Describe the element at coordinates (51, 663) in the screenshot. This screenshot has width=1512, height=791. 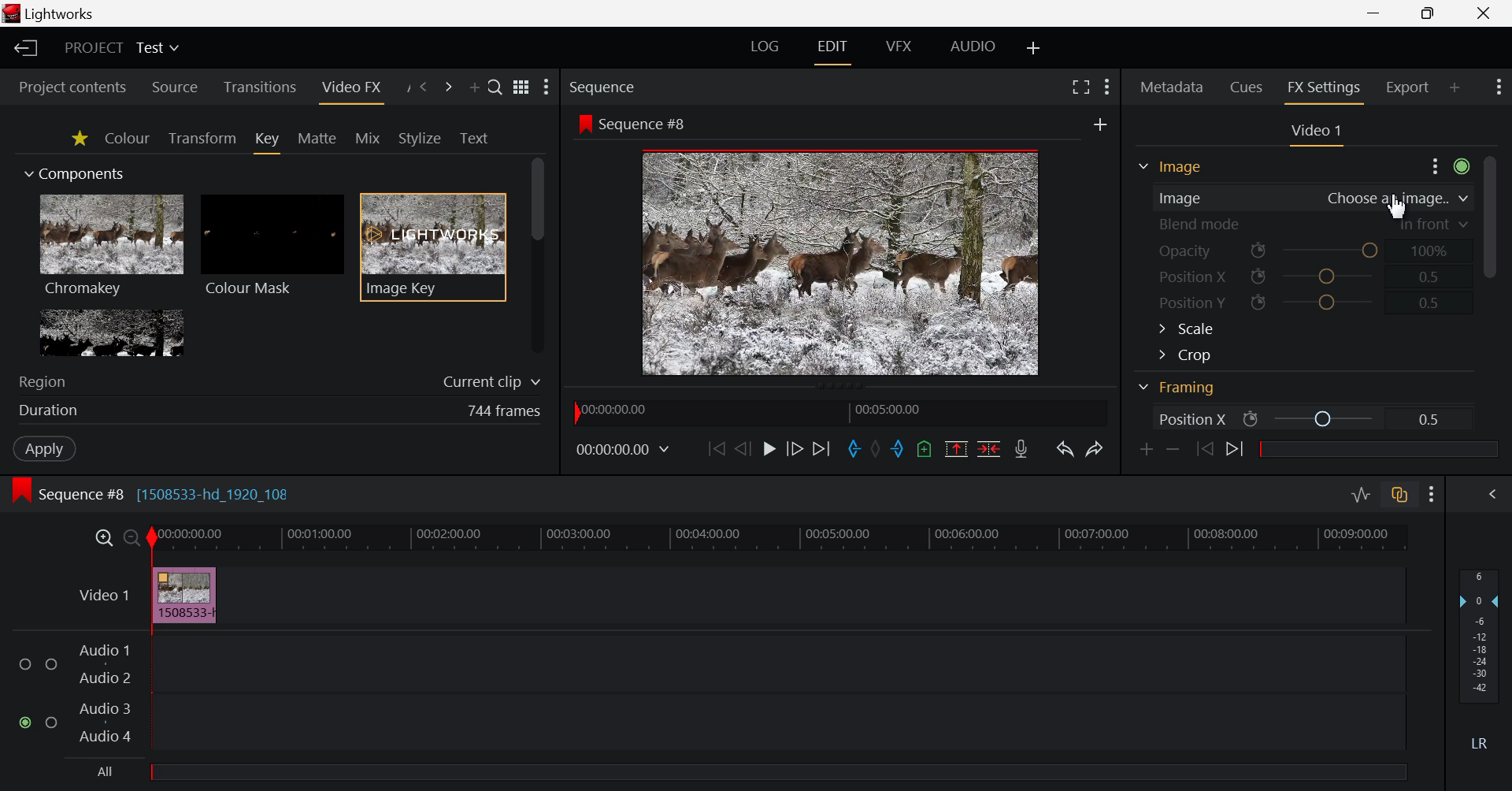
I see `checkbox` at that location.